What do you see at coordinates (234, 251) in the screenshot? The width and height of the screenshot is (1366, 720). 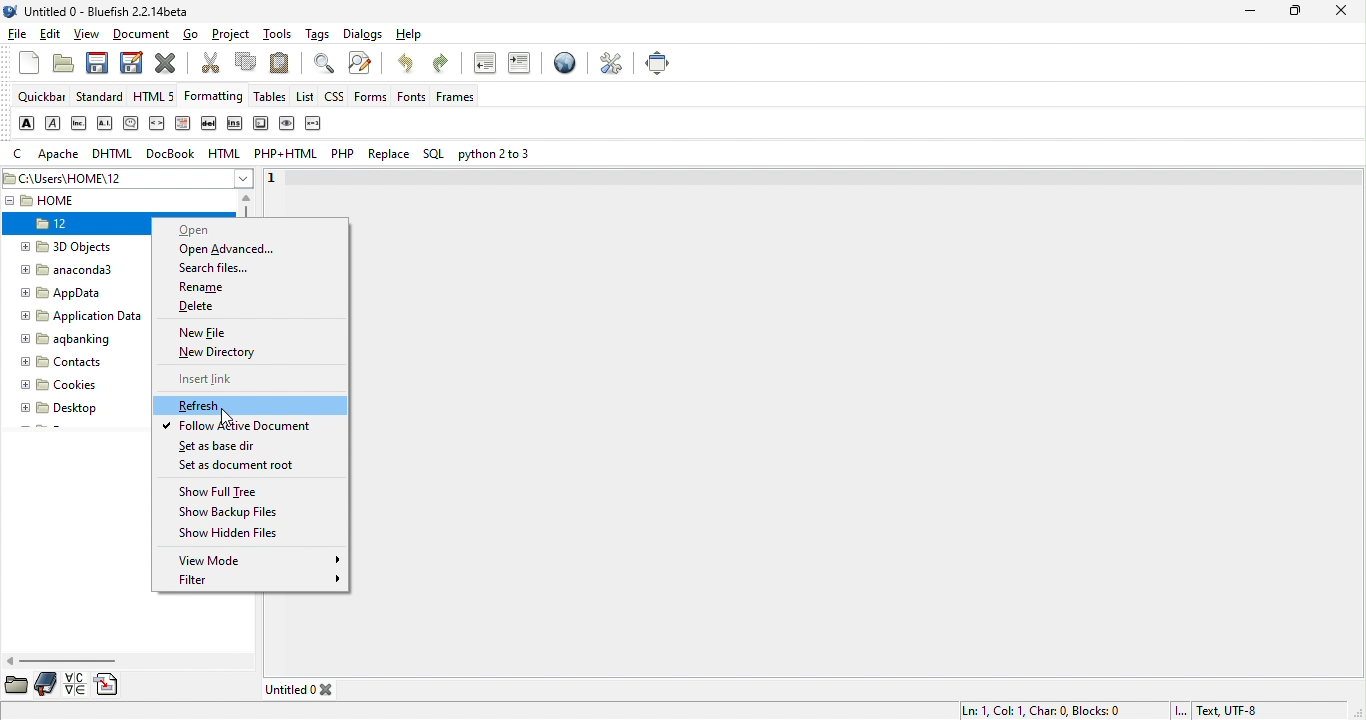 I see `open advanced` at bounding box center [234, 251].